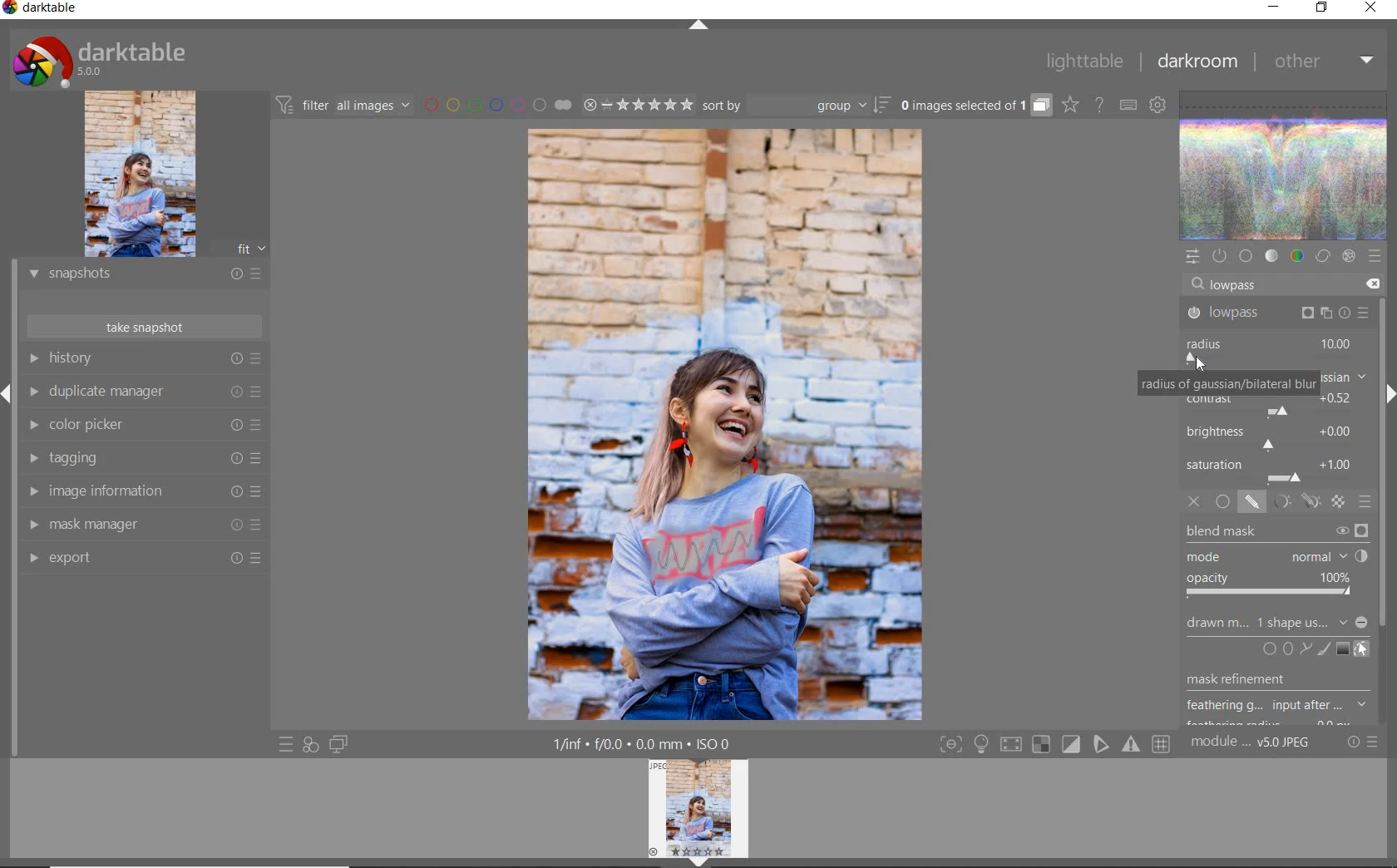 This screenshot has height=868, width=1397. Describe the element at coordinates (1213, 625) in the screenshot. I see `drawn` at that location.